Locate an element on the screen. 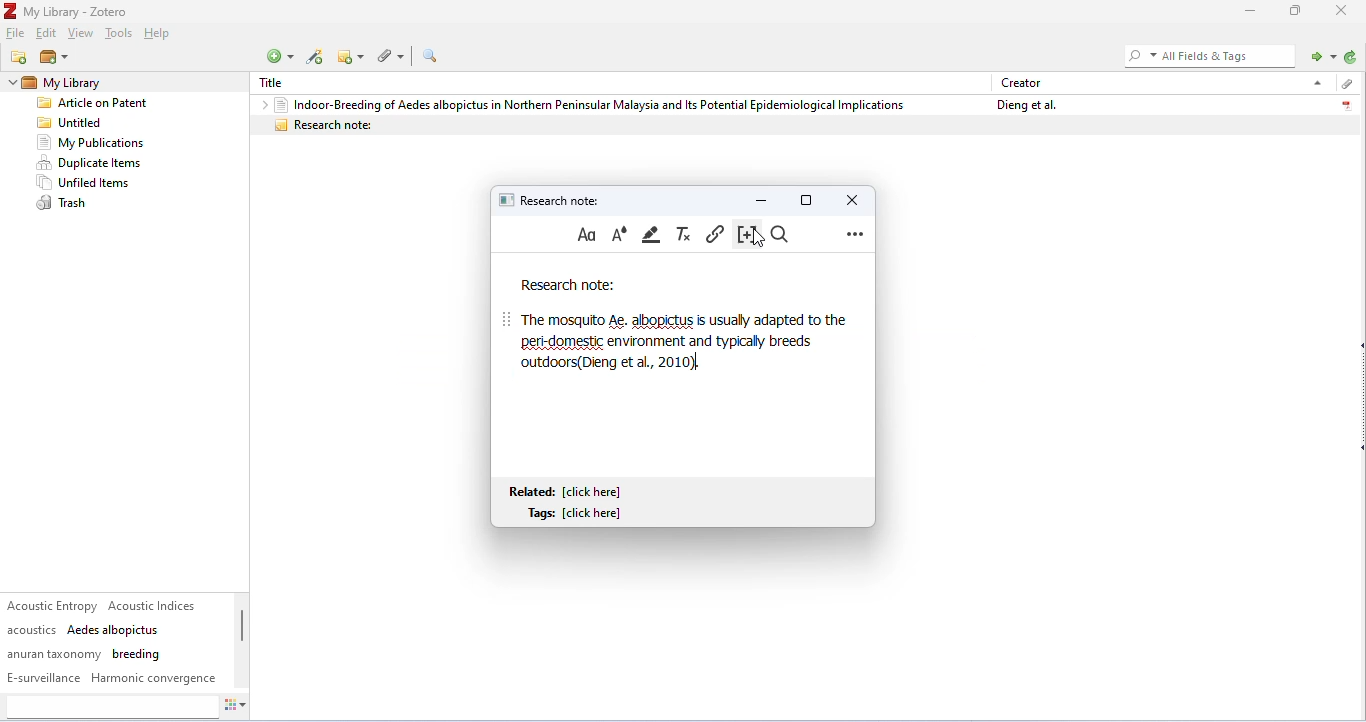  related is located at coordinates (569, 491).